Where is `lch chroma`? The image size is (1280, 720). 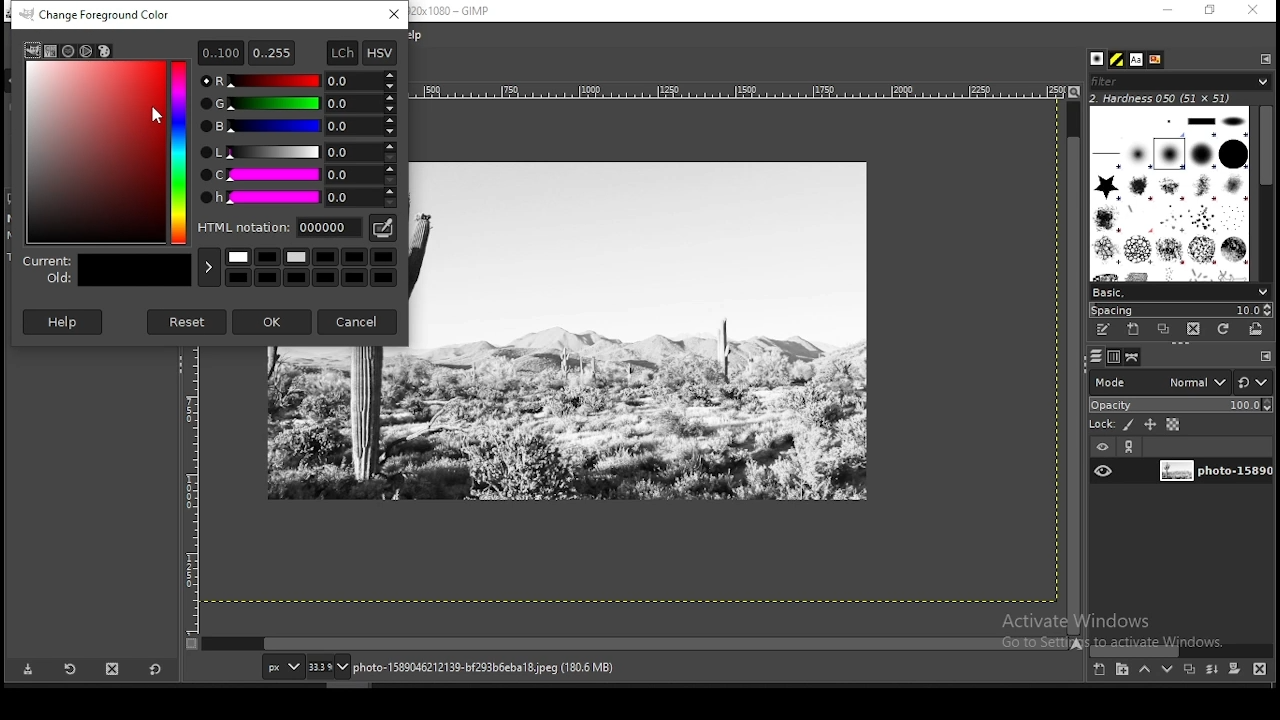 lch chroma is located at coordinates (297, 175).